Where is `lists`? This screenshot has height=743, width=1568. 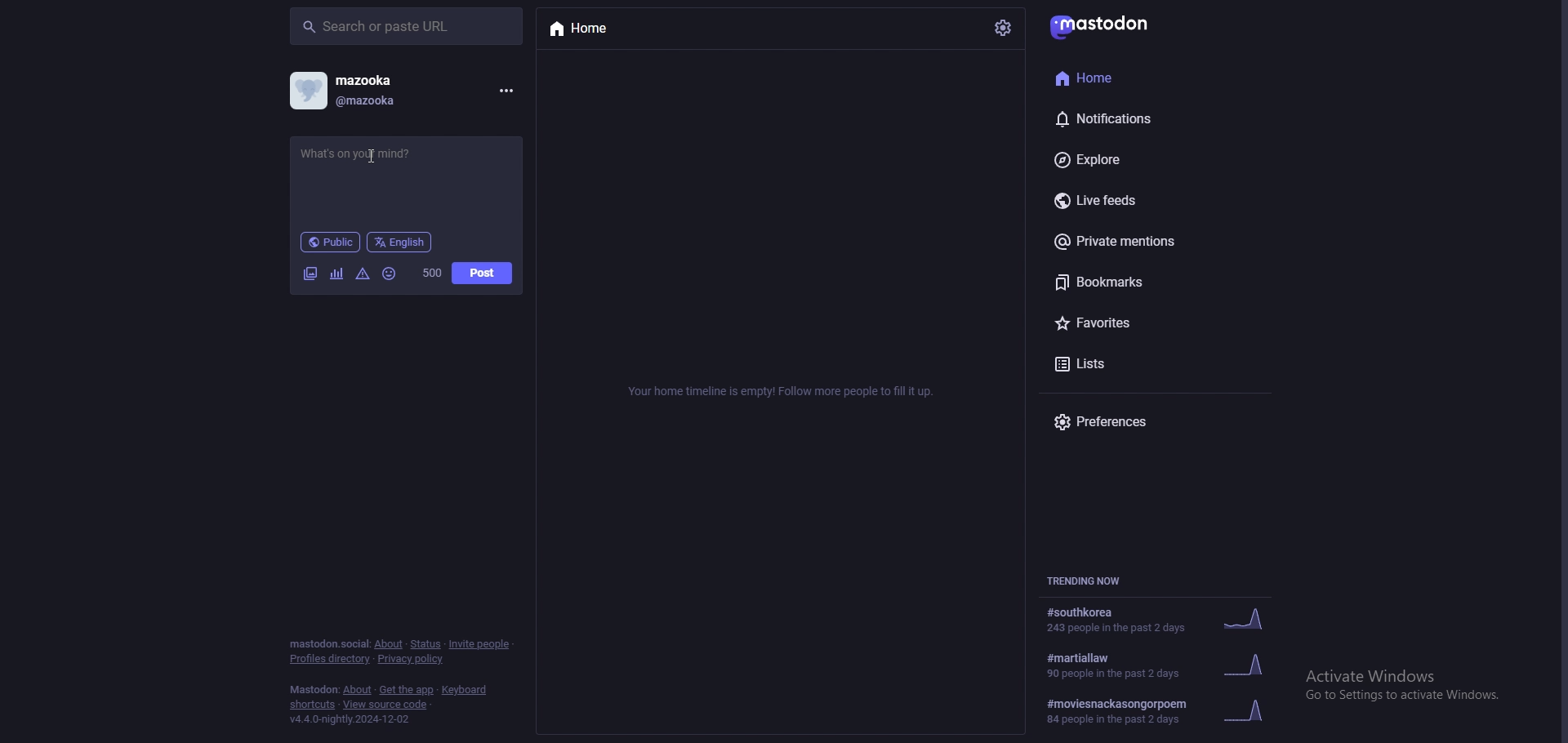 lists is located at coordinates (1130, 366).